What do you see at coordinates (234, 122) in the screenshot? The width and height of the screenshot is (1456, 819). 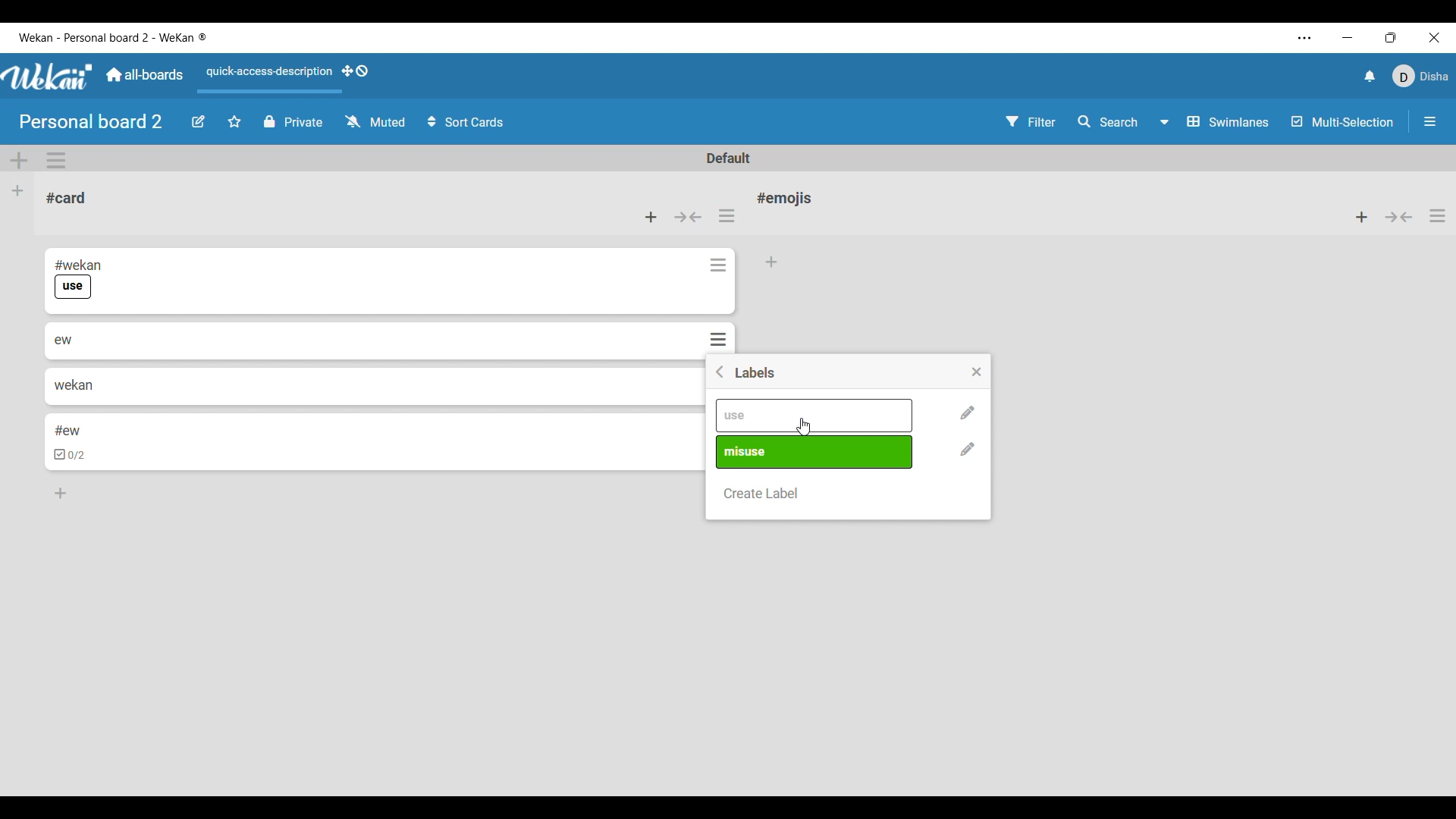 I see `Click to star board` at bounding box center [234, 122].